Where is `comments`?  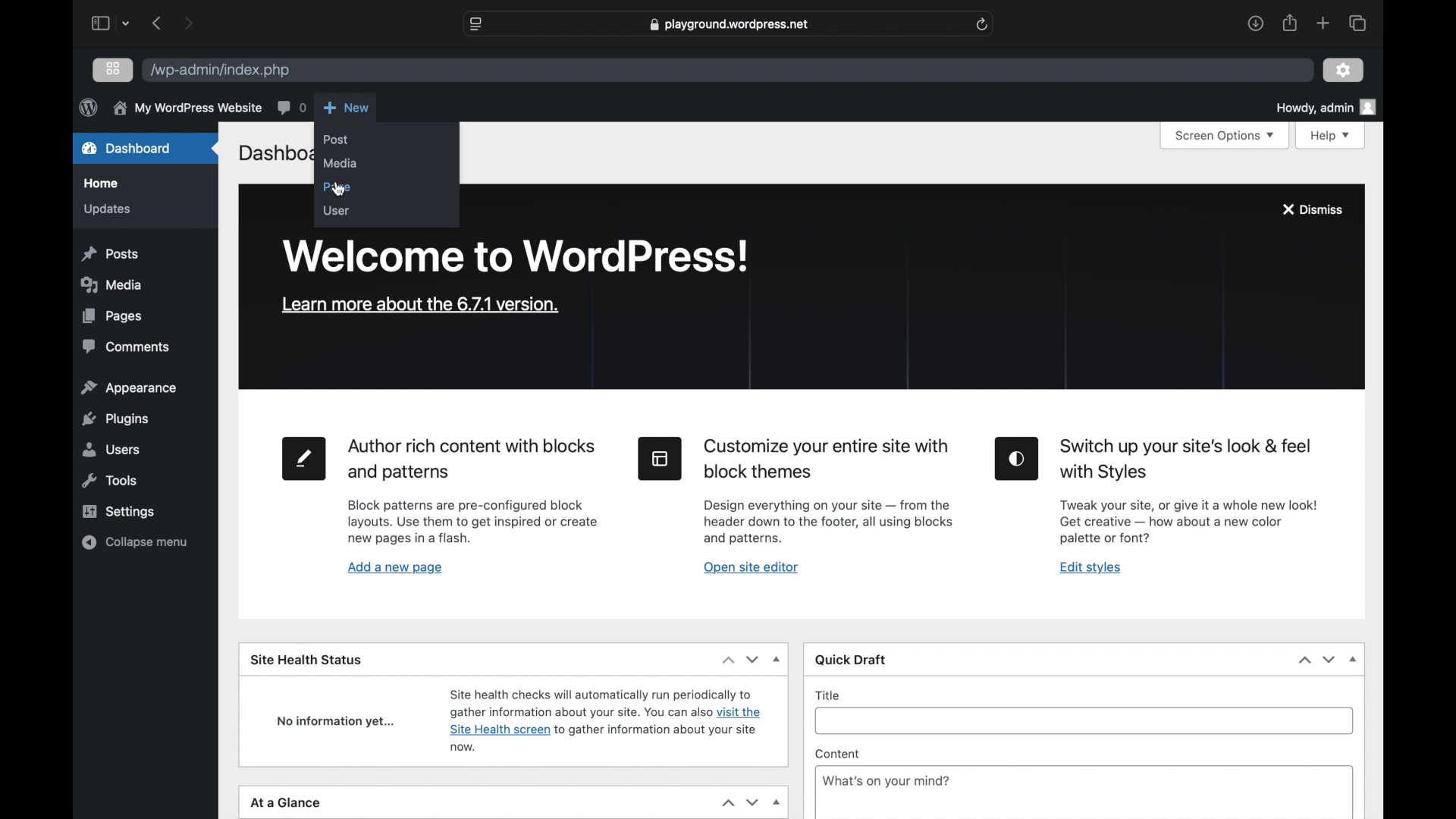 comments is located at coordinates (127, 347).